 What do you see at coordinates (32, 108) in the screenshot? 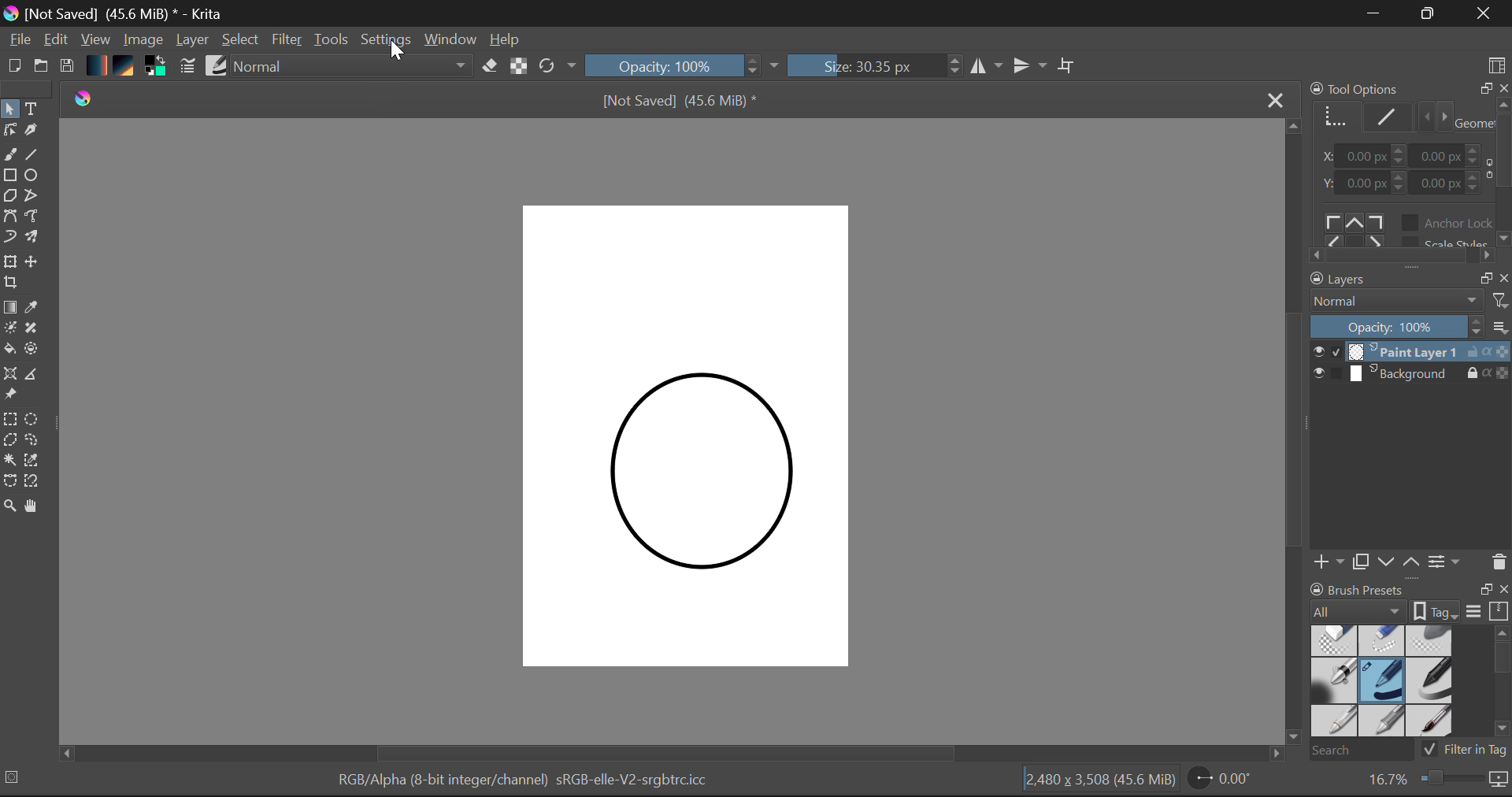
I see `Text` at bounding box center [32, 108].